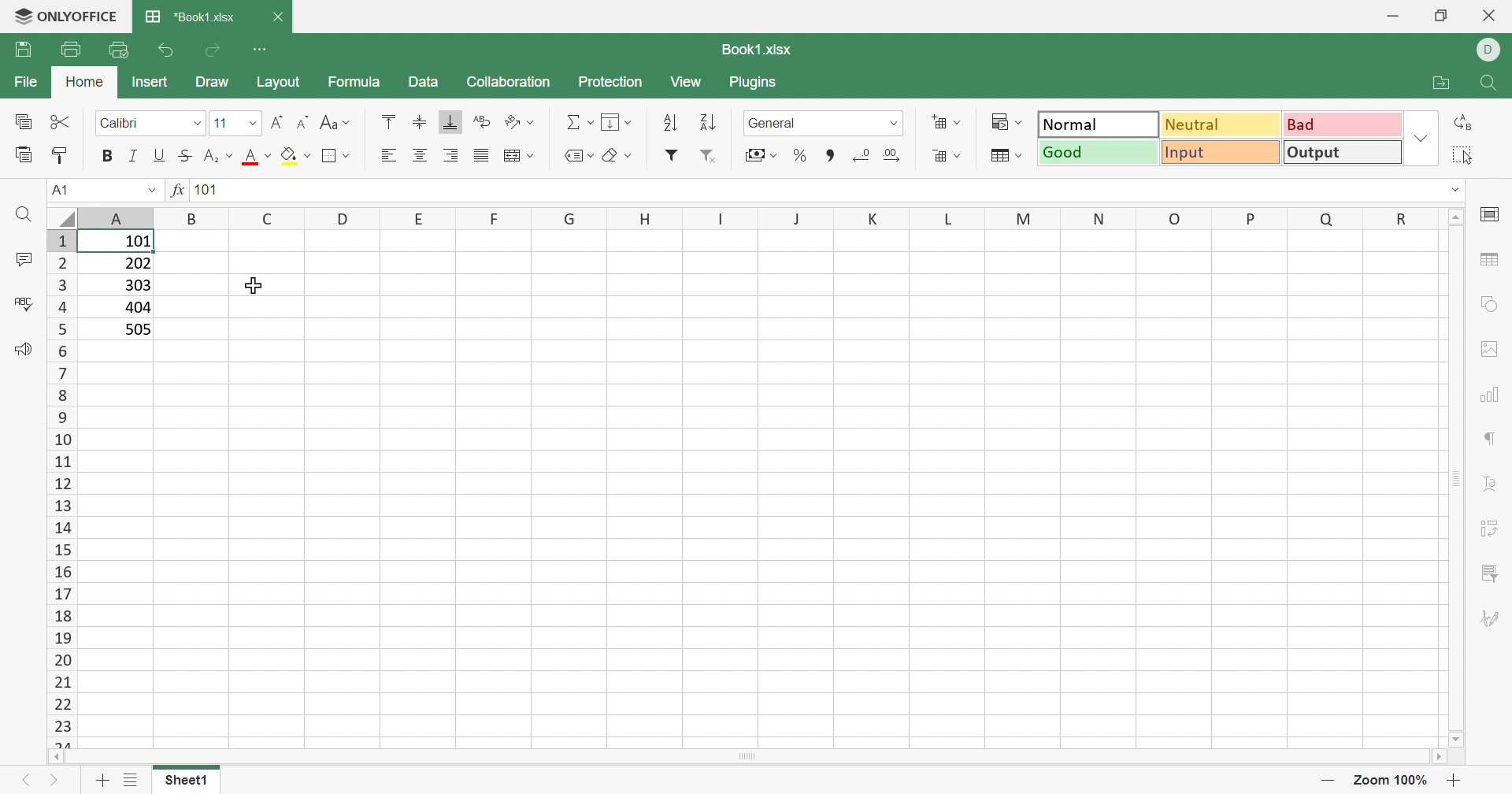  Describe the element at coordinates (758, 154) in the screenshot. I see `Currency style` at that location.